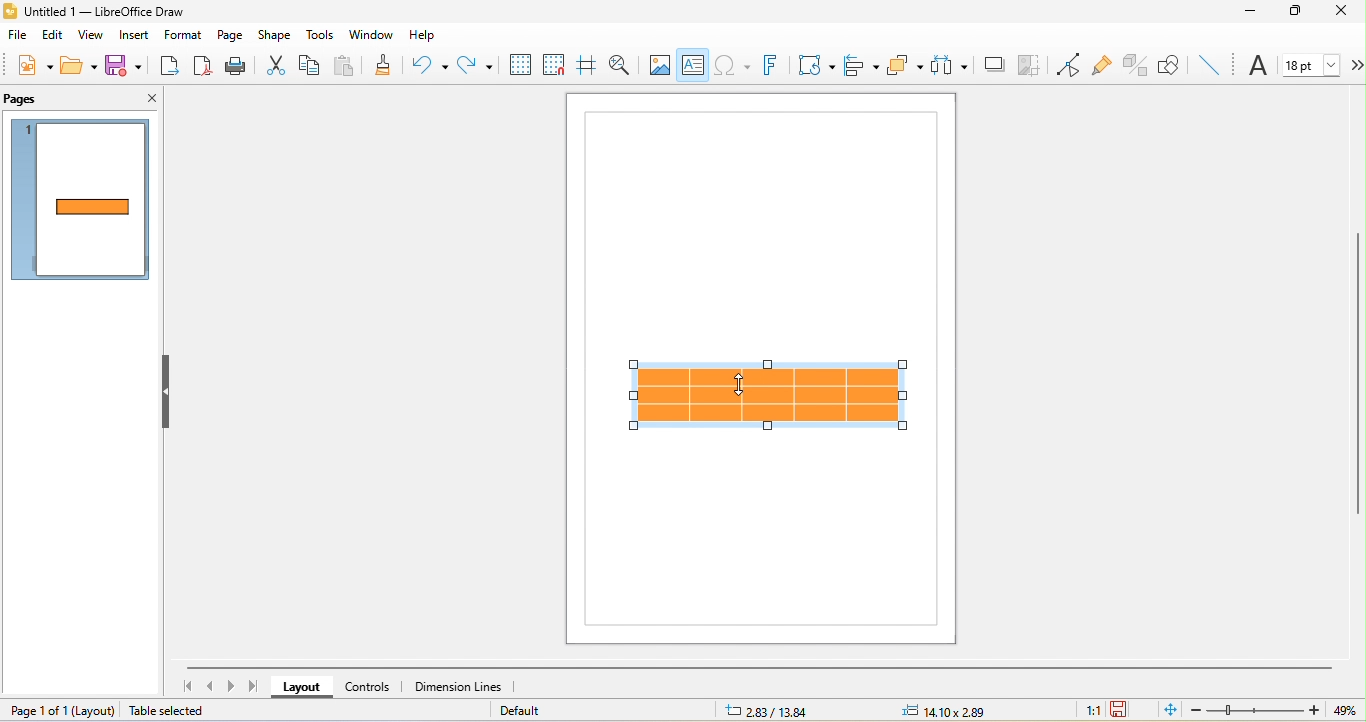 This screenshot has height=722, width=1366. Describe the element at coordinates (1312, 65) in the screenshot. I see `font size` at that location.